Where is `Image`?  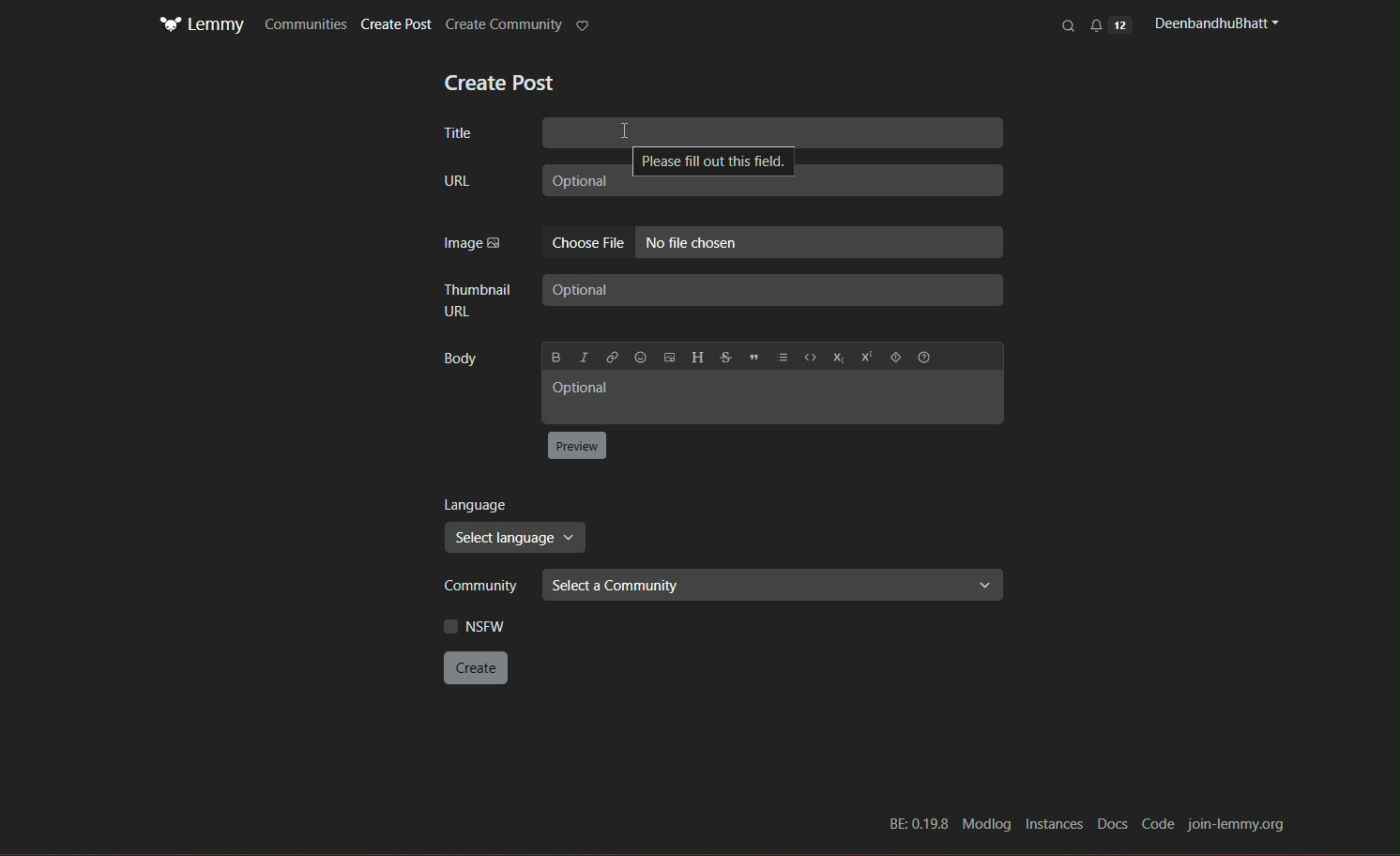
Image is located at coordinates (471, 243).